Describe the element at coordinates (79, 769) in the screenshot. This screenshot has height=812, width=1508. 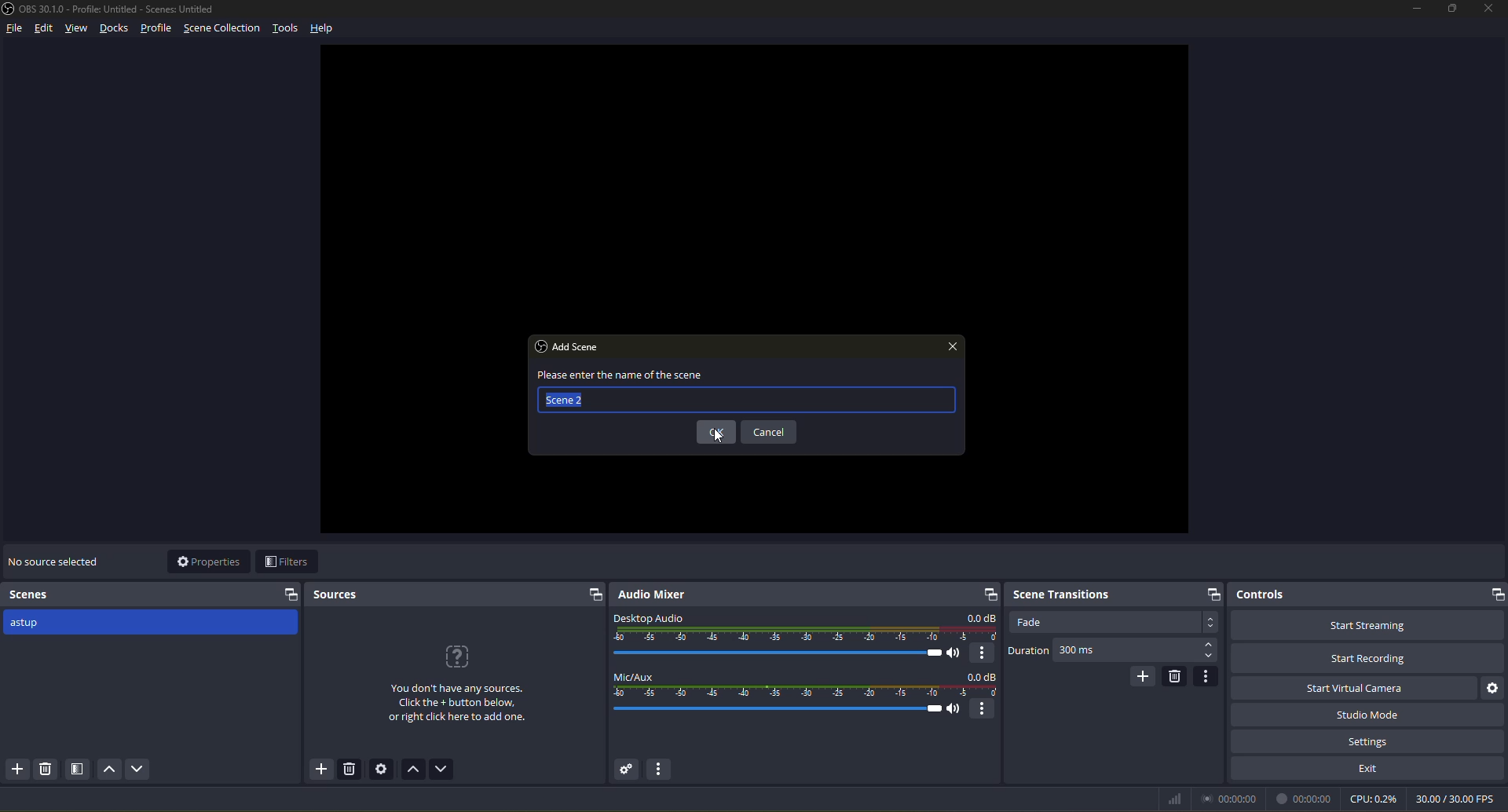
I see `open scene filters` at that location.